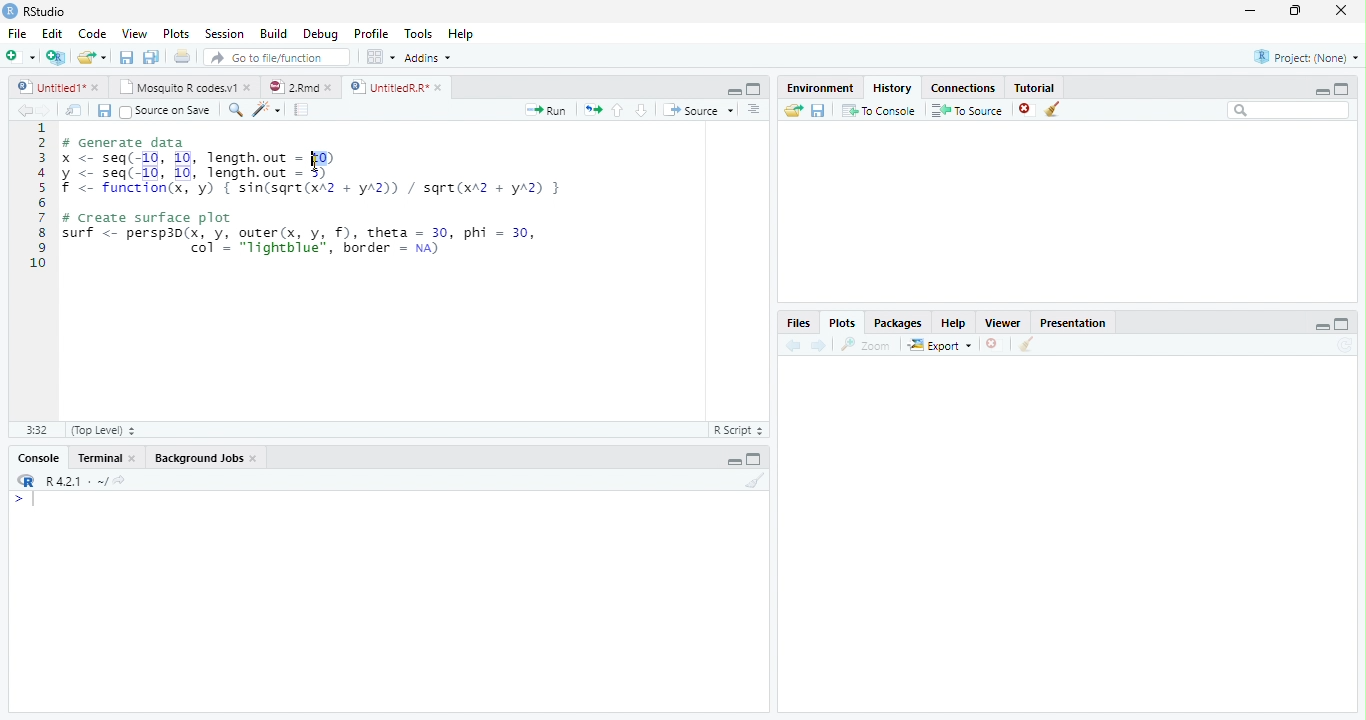  Describe the element at coordinates (182, 55) in the screenshot. I see `Print the current file` at that location.